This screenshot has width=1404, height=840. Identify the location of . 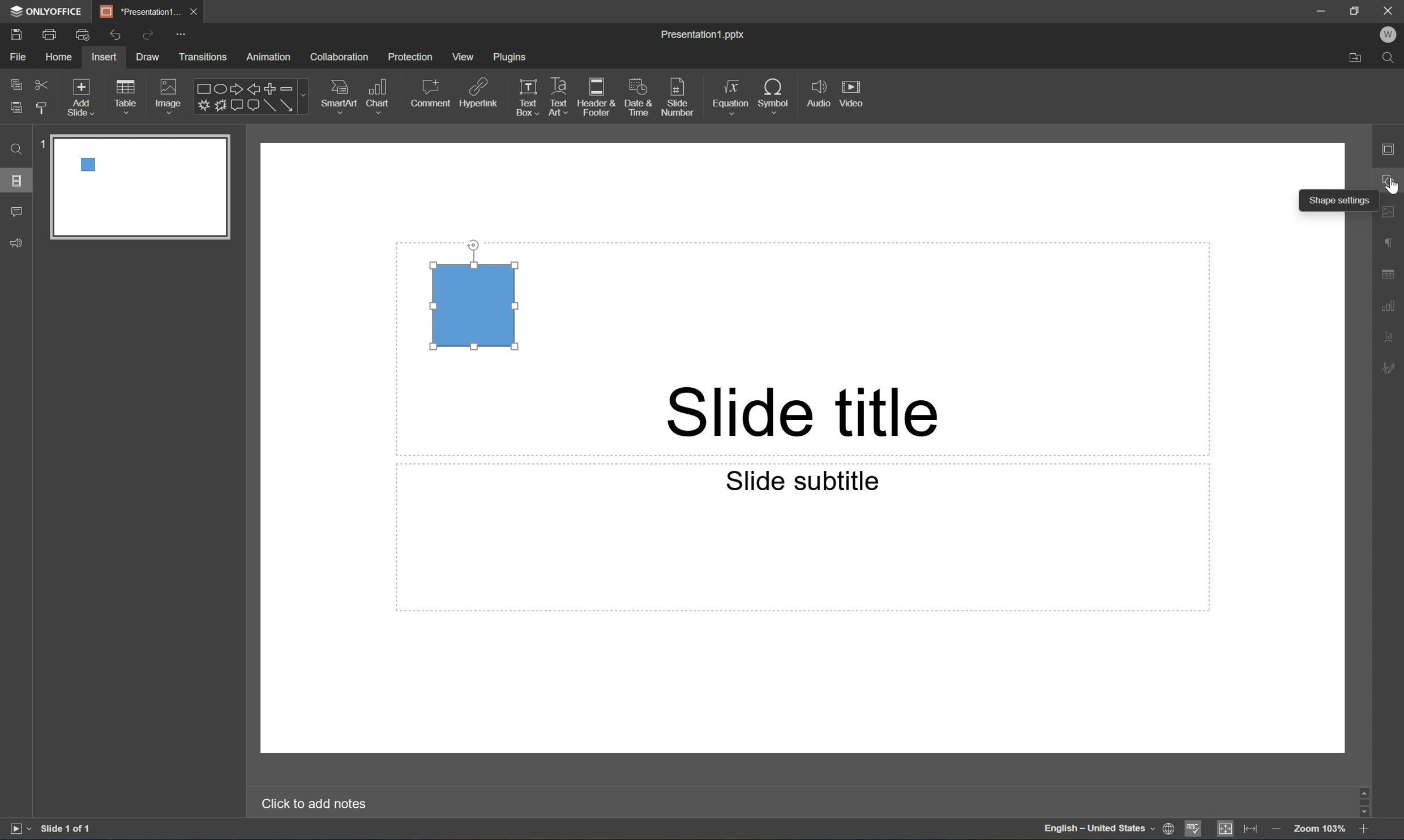
(252, 106).